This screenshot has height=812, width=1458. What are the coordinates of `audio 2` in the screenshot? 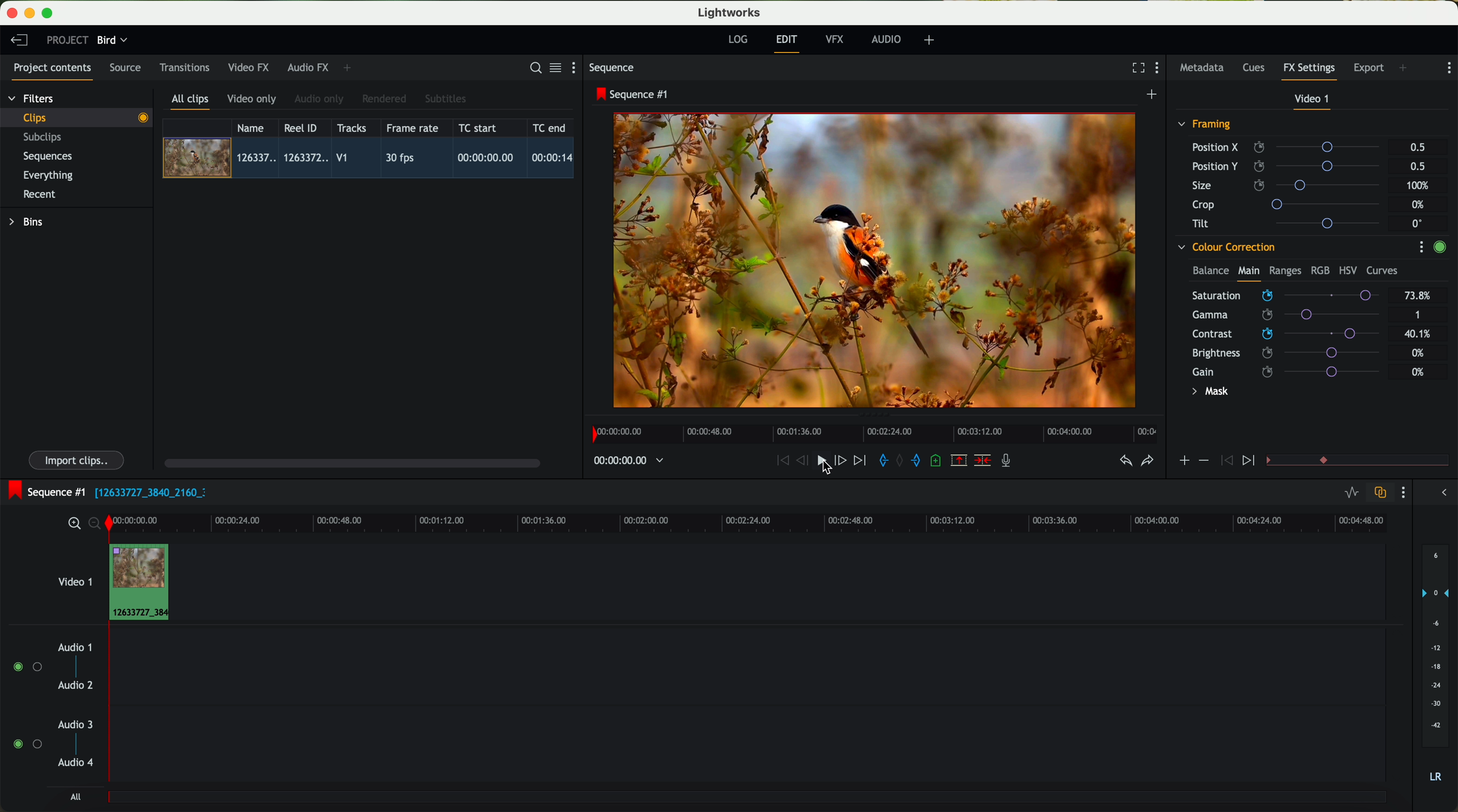 It's located at (76, 686).